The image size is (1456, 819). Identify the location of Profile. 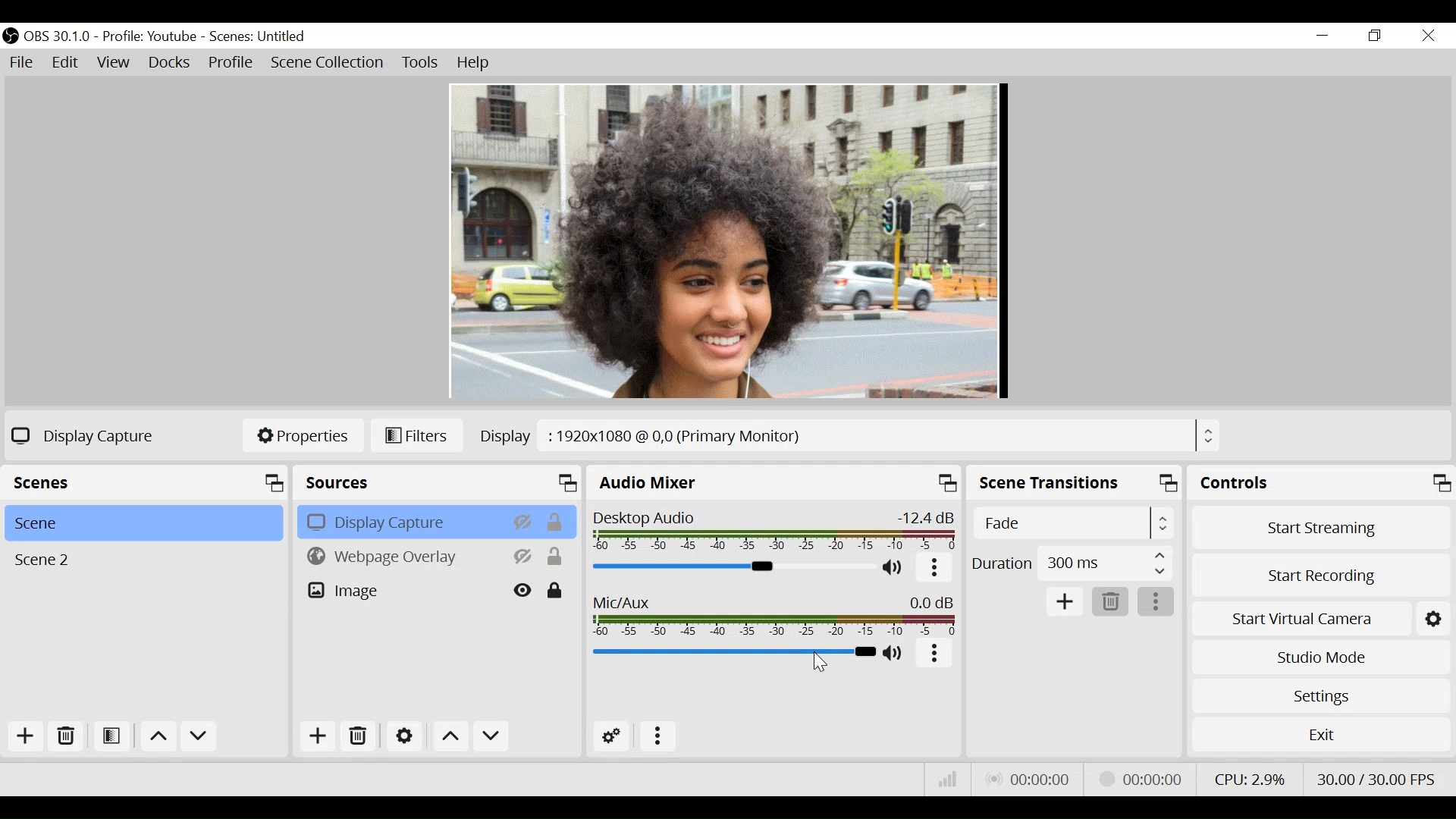
(230, 63).